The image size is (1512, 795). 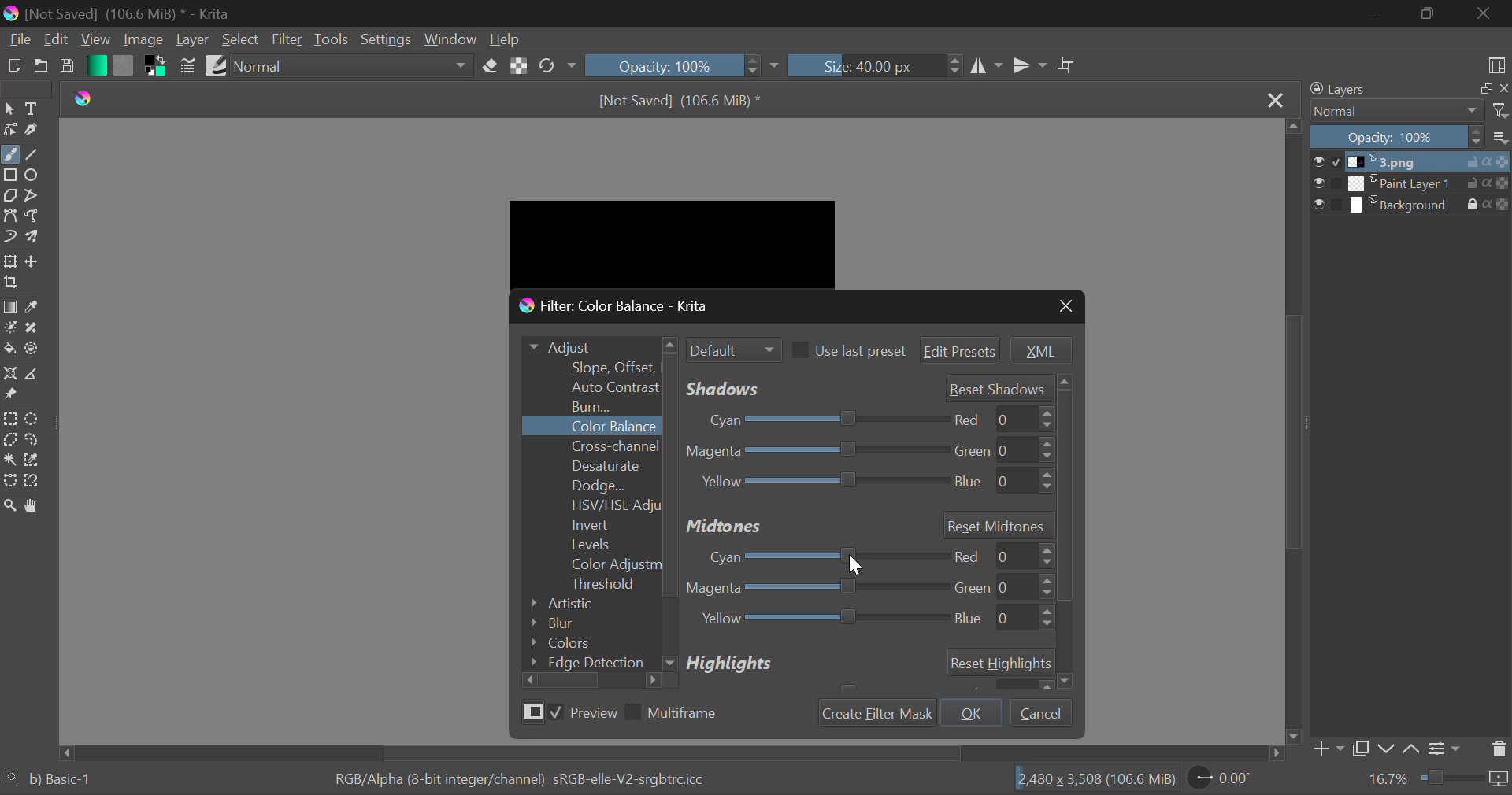 I want to click on Similar Color Selector, so click(x=36, y=460).